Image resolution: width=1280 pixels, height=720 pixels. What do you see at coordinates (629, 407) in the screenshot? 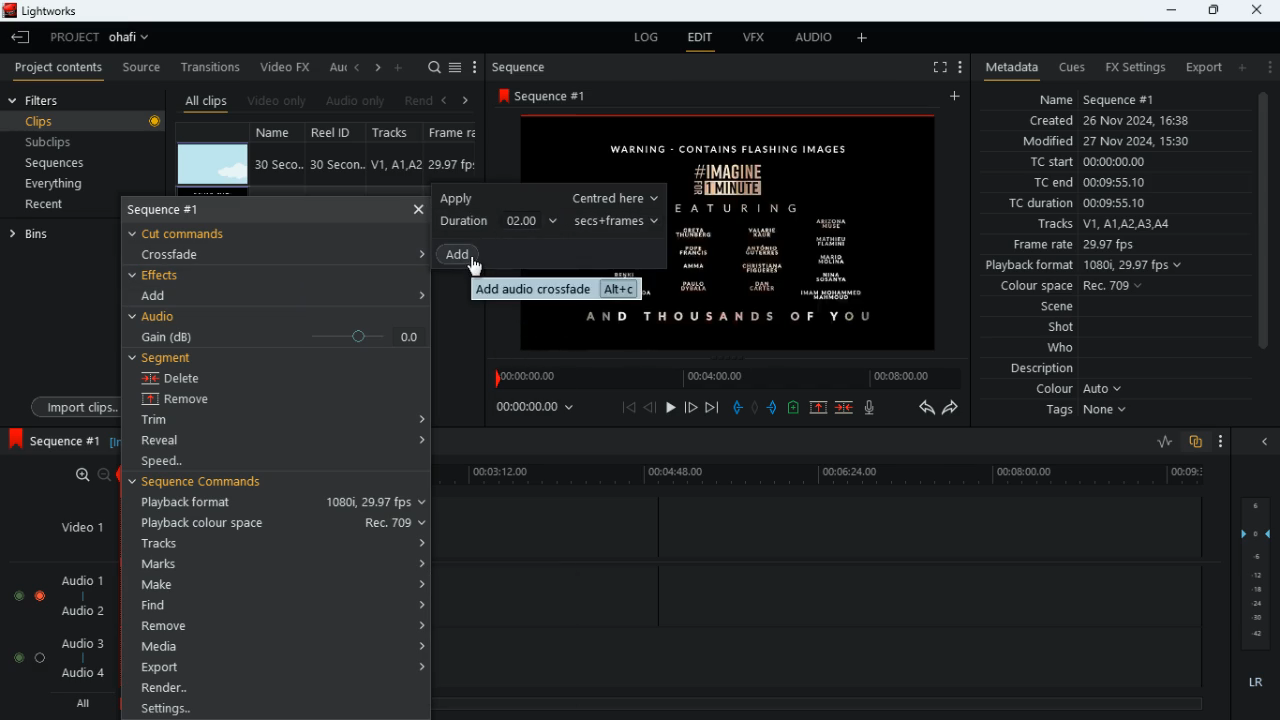
I see `beggining` at bounding box center [629, 407].